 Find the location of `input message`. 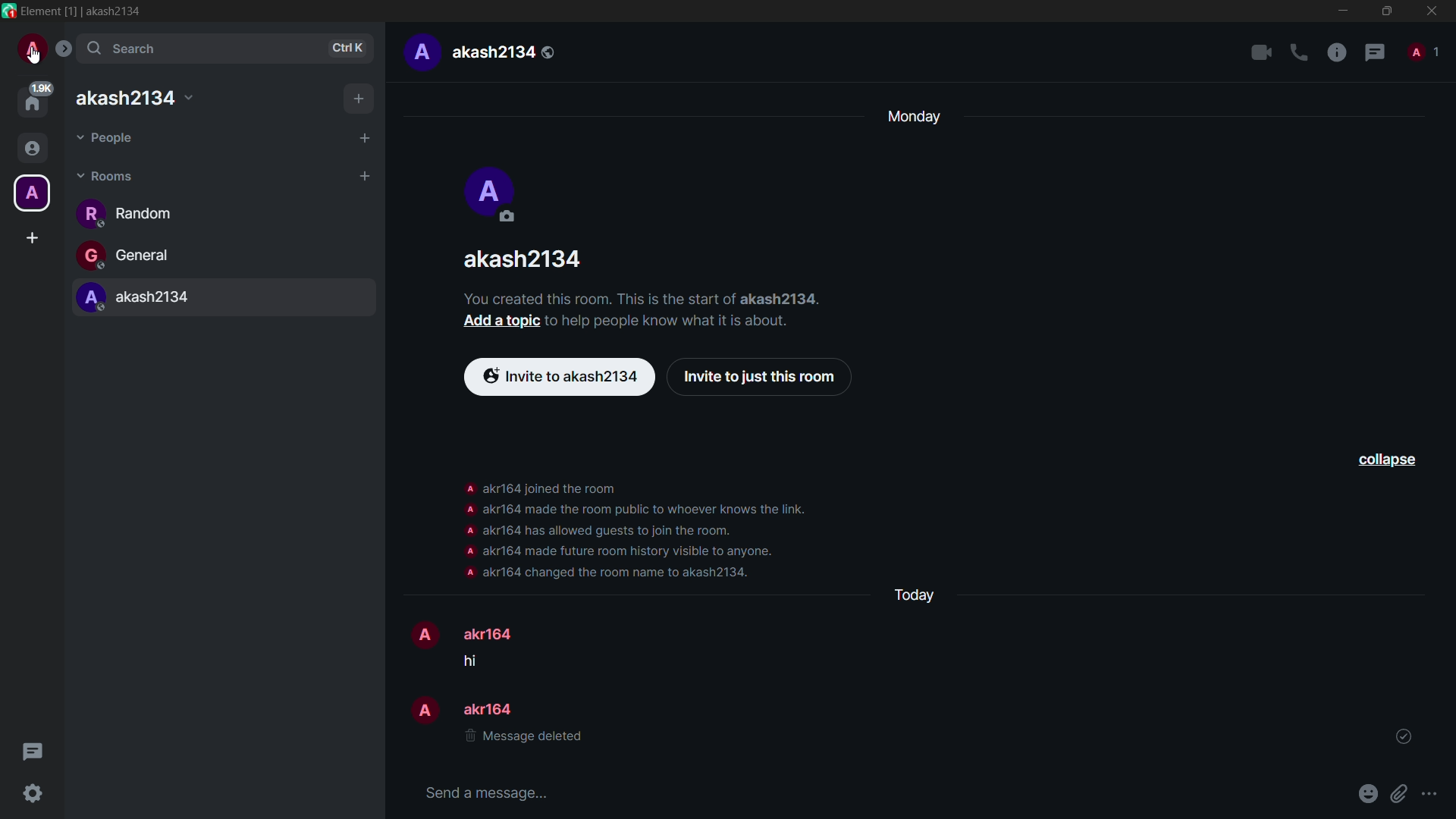

input message is located at coordinates (485, 792).